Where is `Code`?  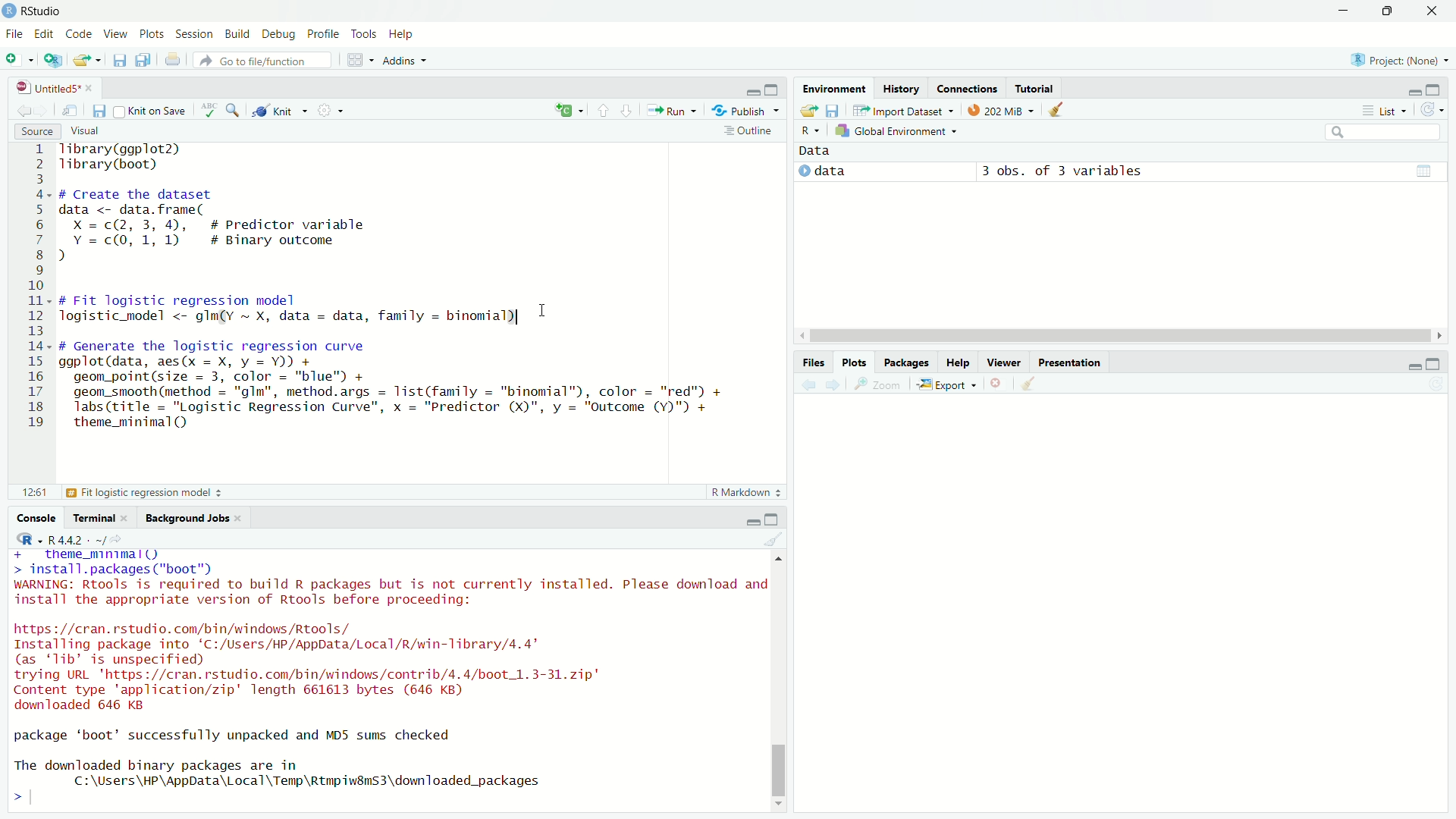
Code is located at coordinates (77, 33).